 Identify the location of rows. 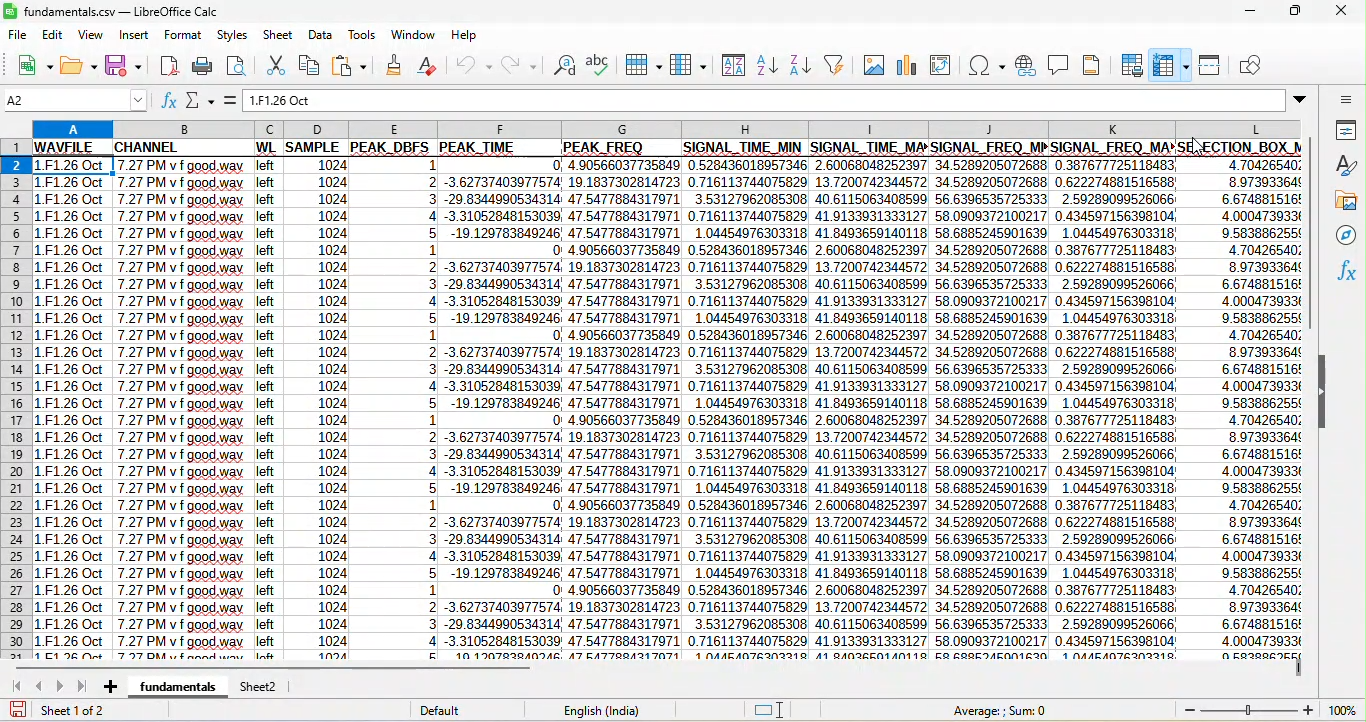
(16, 400).